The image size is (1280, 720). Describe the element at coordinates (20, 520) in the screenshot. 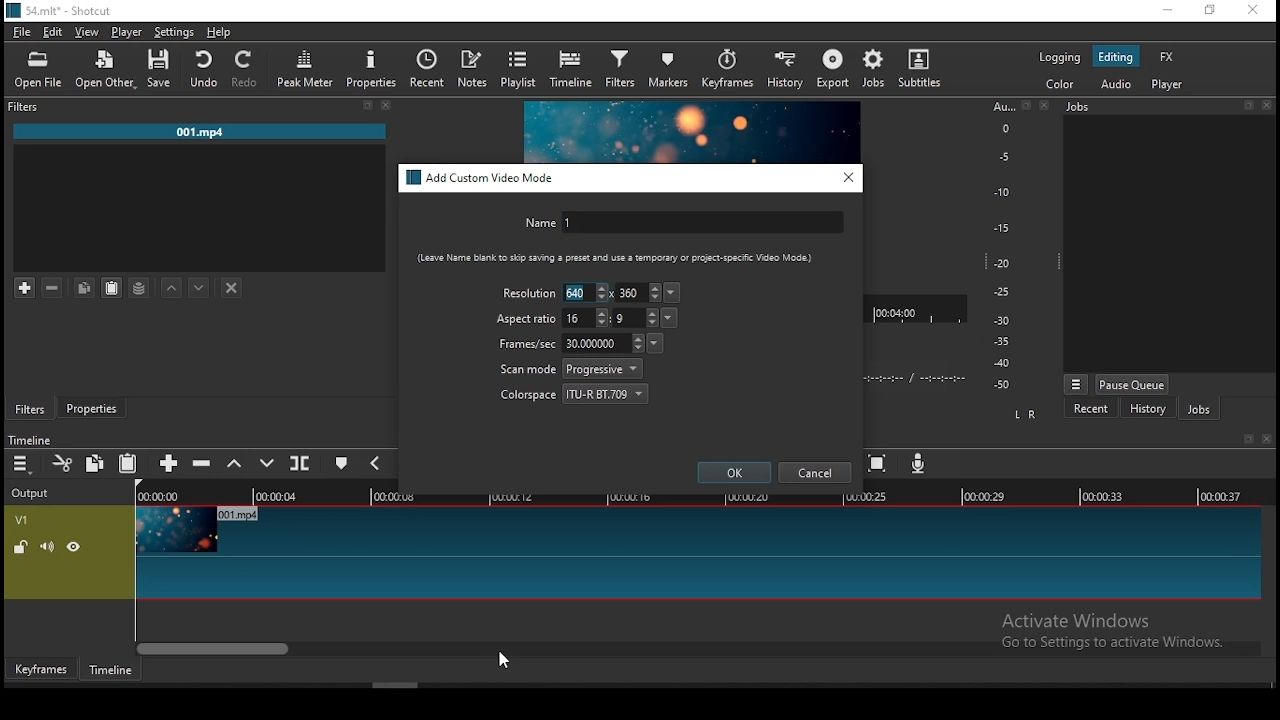

I see `V1` at that location.